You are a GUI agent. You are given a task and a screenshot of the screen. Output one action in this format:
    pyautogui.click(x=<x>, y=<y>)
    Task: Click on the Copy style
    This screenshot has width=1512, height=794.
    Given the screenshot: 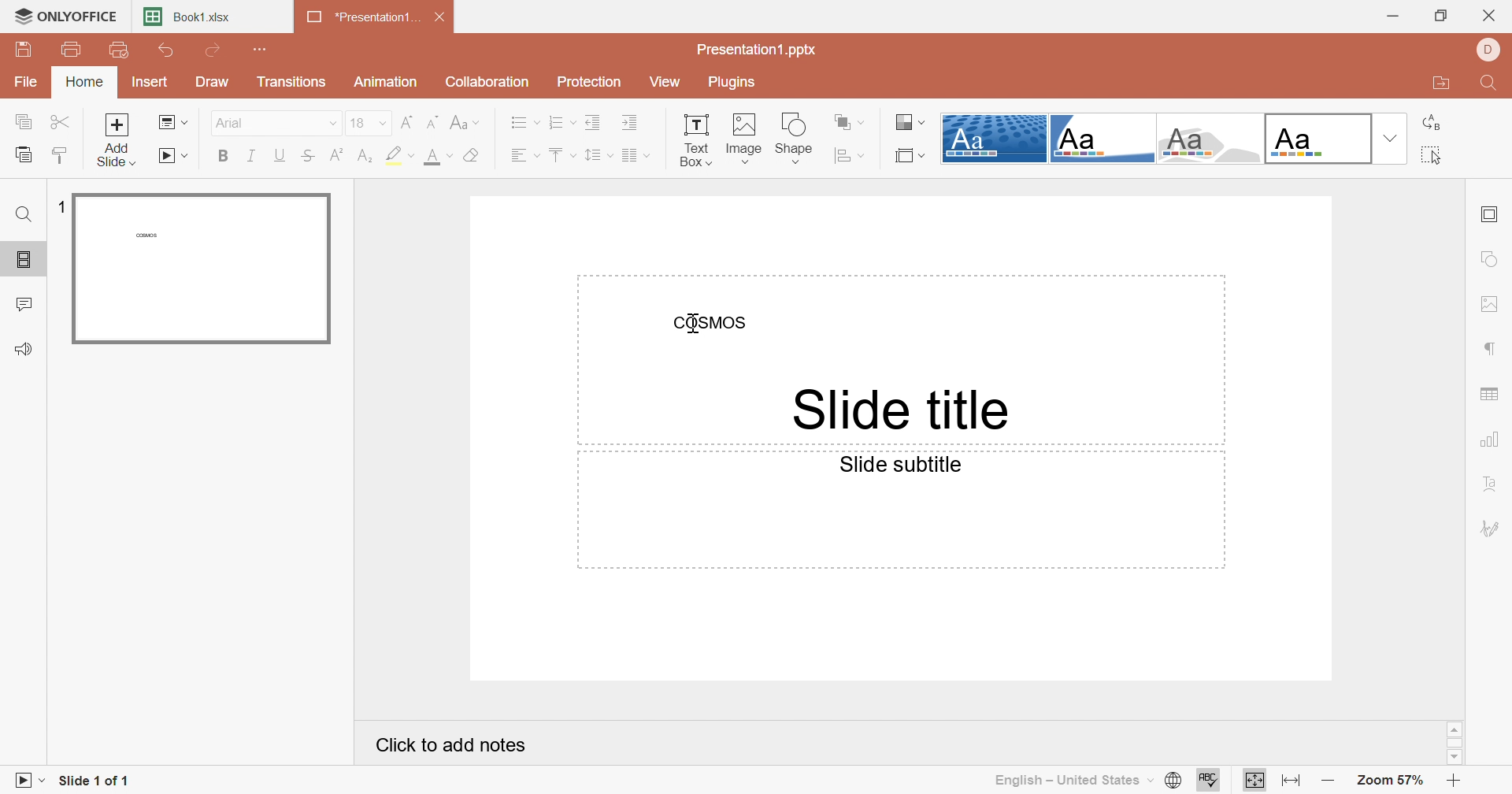 What is the action you would take?
    pyautogui.click(x=55, y=156)
    